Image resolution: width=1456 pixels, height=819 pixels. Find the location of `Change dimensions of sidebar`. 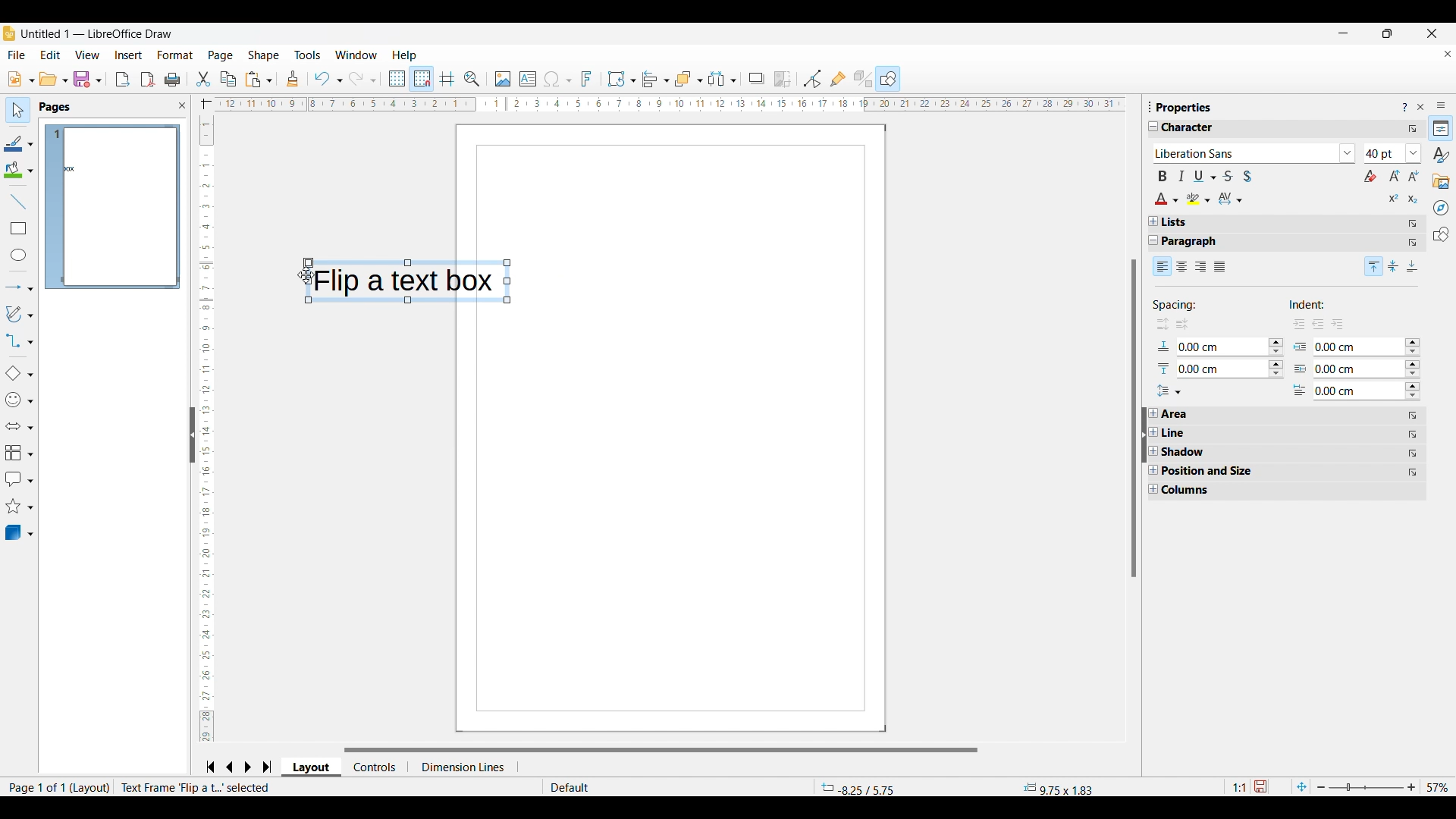

Change dimensions of sidebar is located at coordinates (1150, 106).